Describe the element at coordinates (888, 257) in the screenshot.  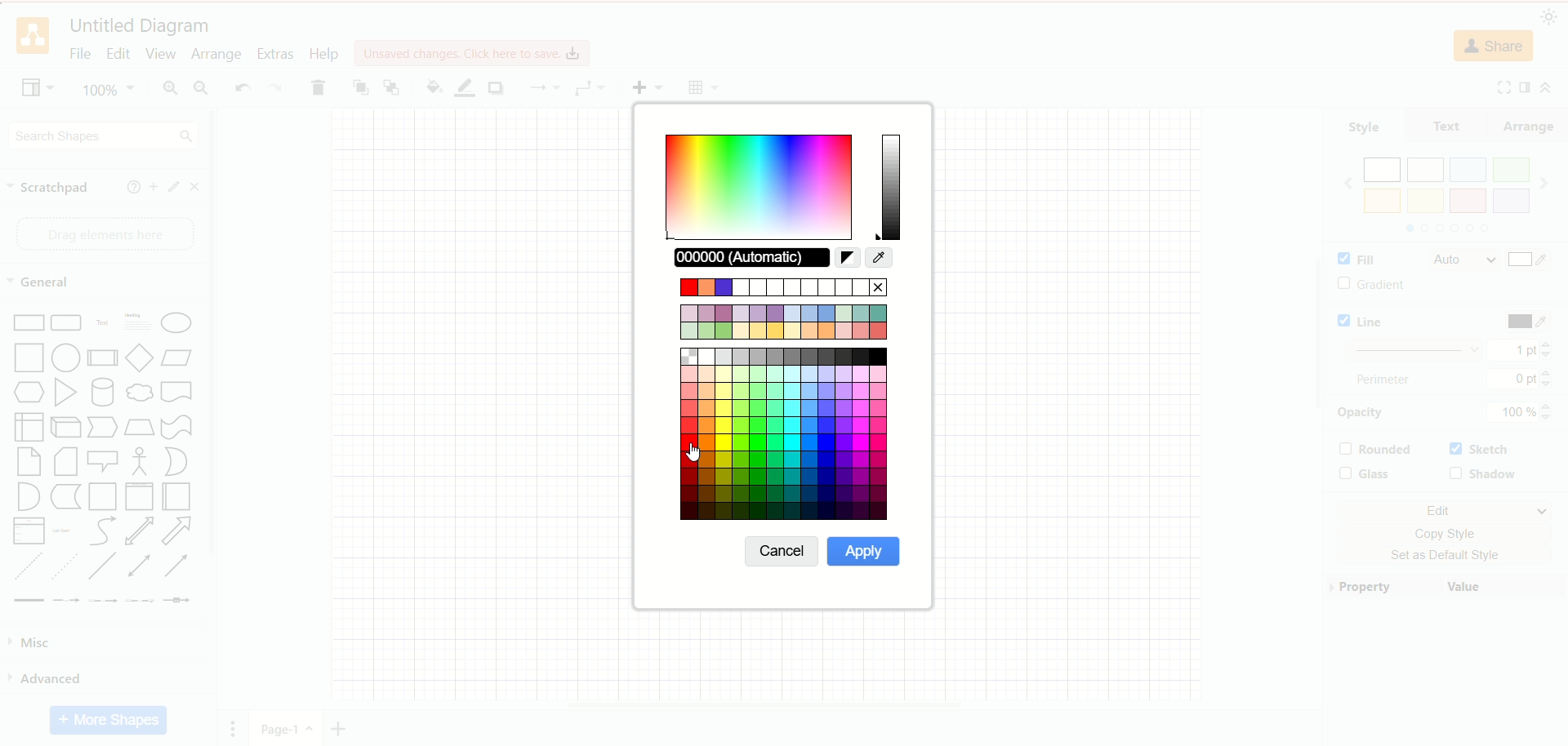
I see `RGB colors` at that location.